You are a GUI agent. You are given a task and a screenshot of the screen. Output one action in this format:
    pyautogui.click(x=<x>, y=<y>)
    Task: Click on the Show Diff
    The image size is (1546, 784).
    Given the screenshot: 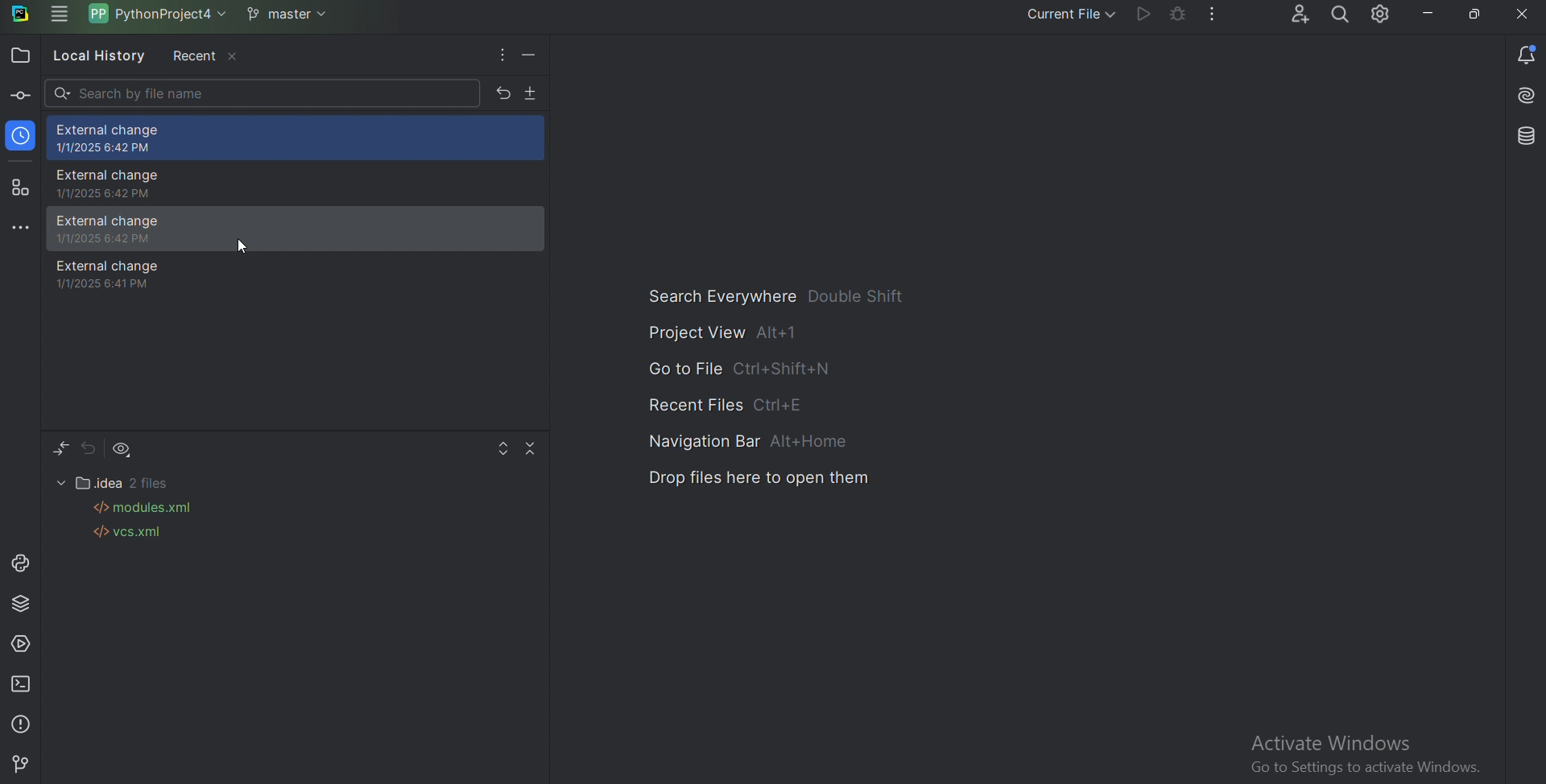 What is the action you would take?
    pyautogui.click(x=60, y=449)
    